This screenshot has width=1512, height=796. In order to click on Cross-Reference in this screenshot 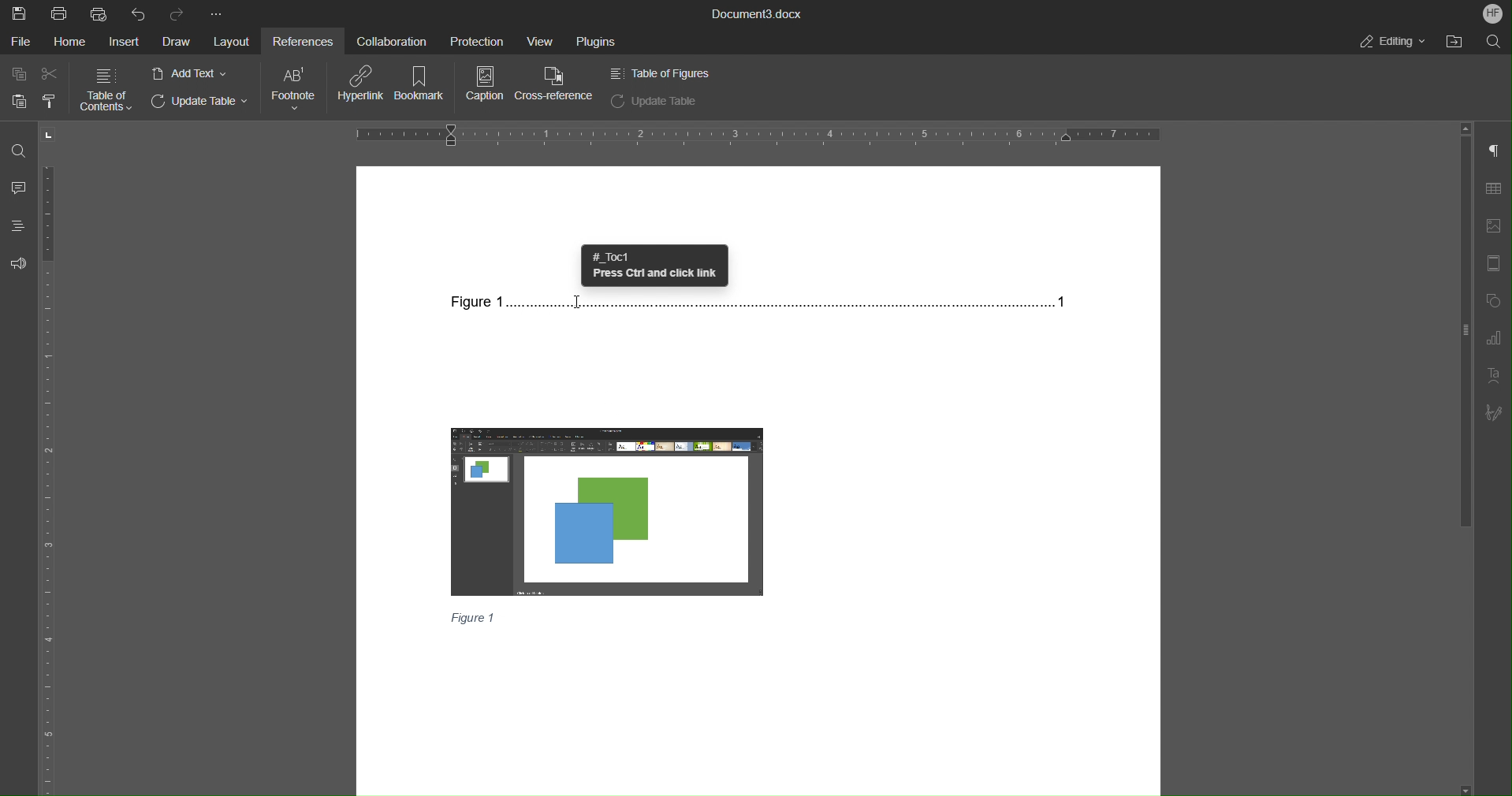, I will do `click(557, 85)`.